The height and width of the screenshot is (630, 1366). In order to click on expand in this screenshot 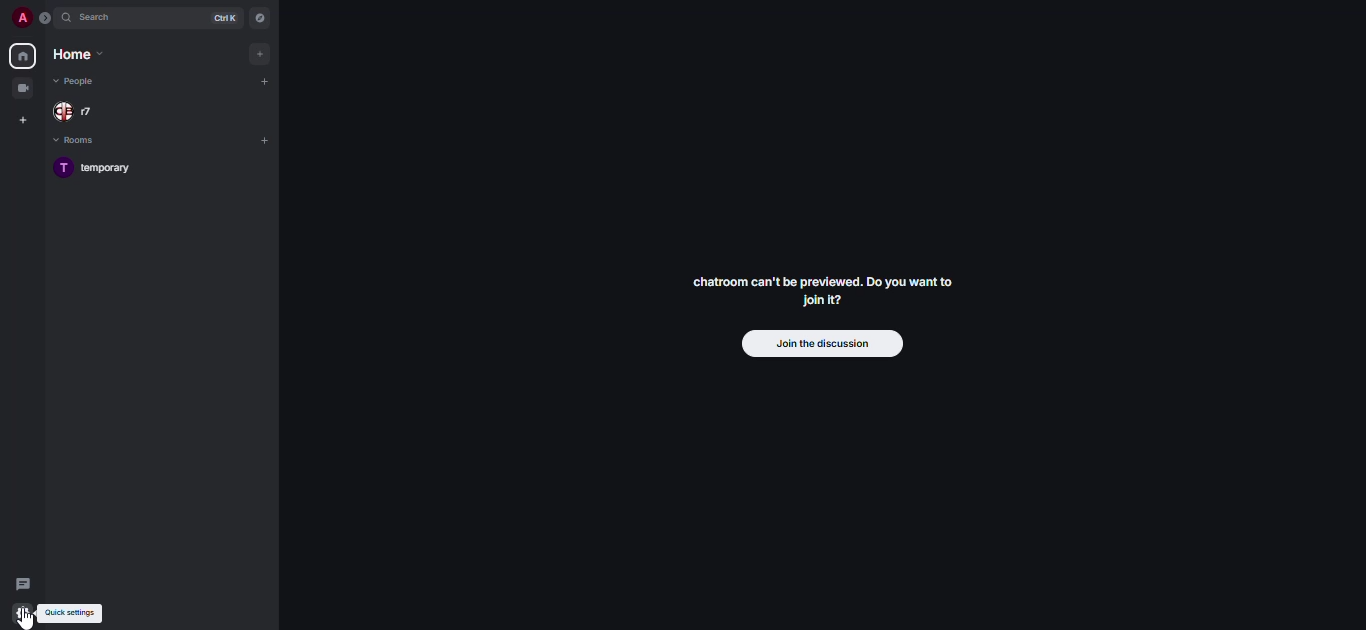, I will do `click(45, 19)`.